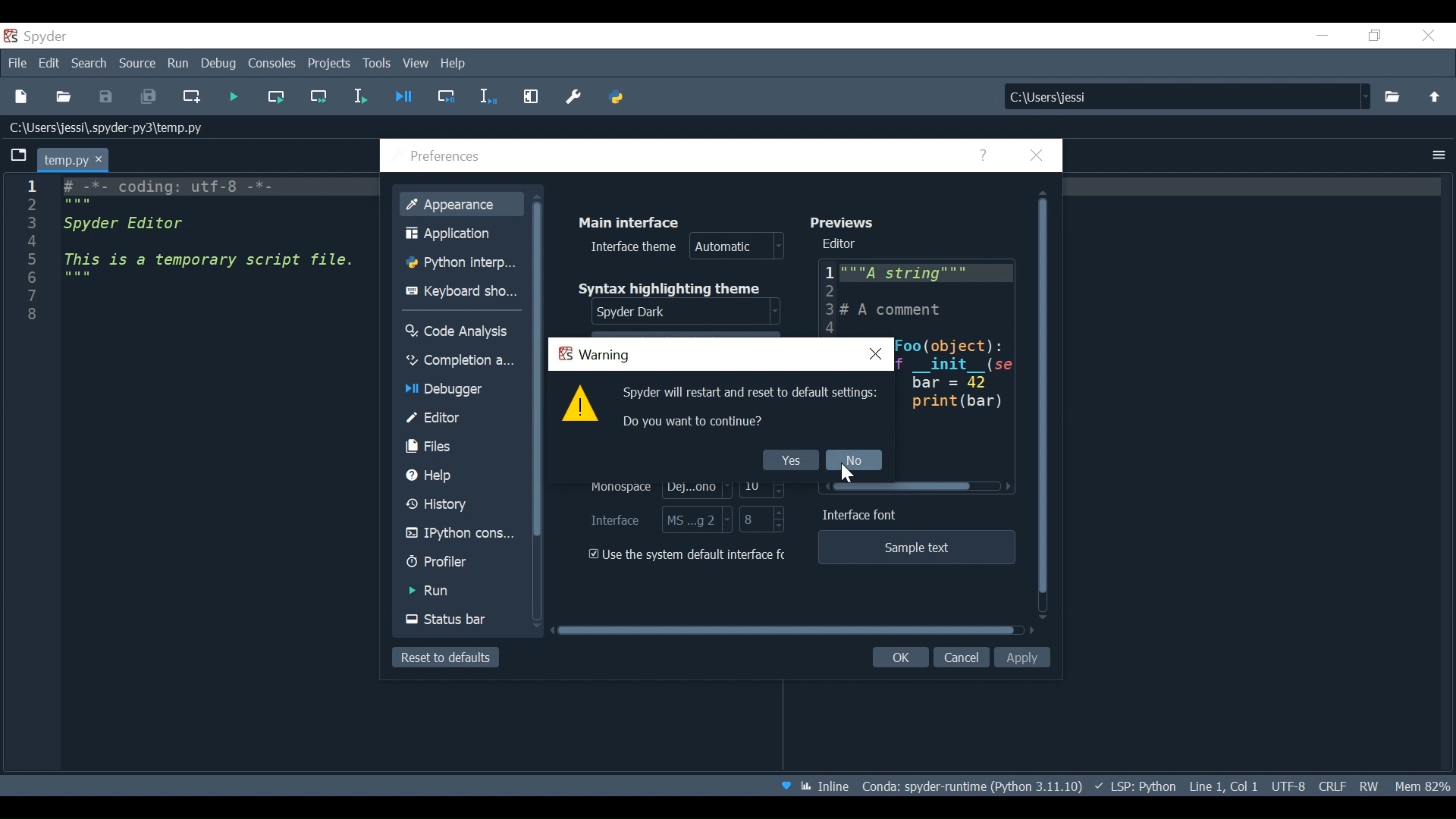 This screenshot has width=1456, height=819. I want to click on Editor, so click(841, 244).